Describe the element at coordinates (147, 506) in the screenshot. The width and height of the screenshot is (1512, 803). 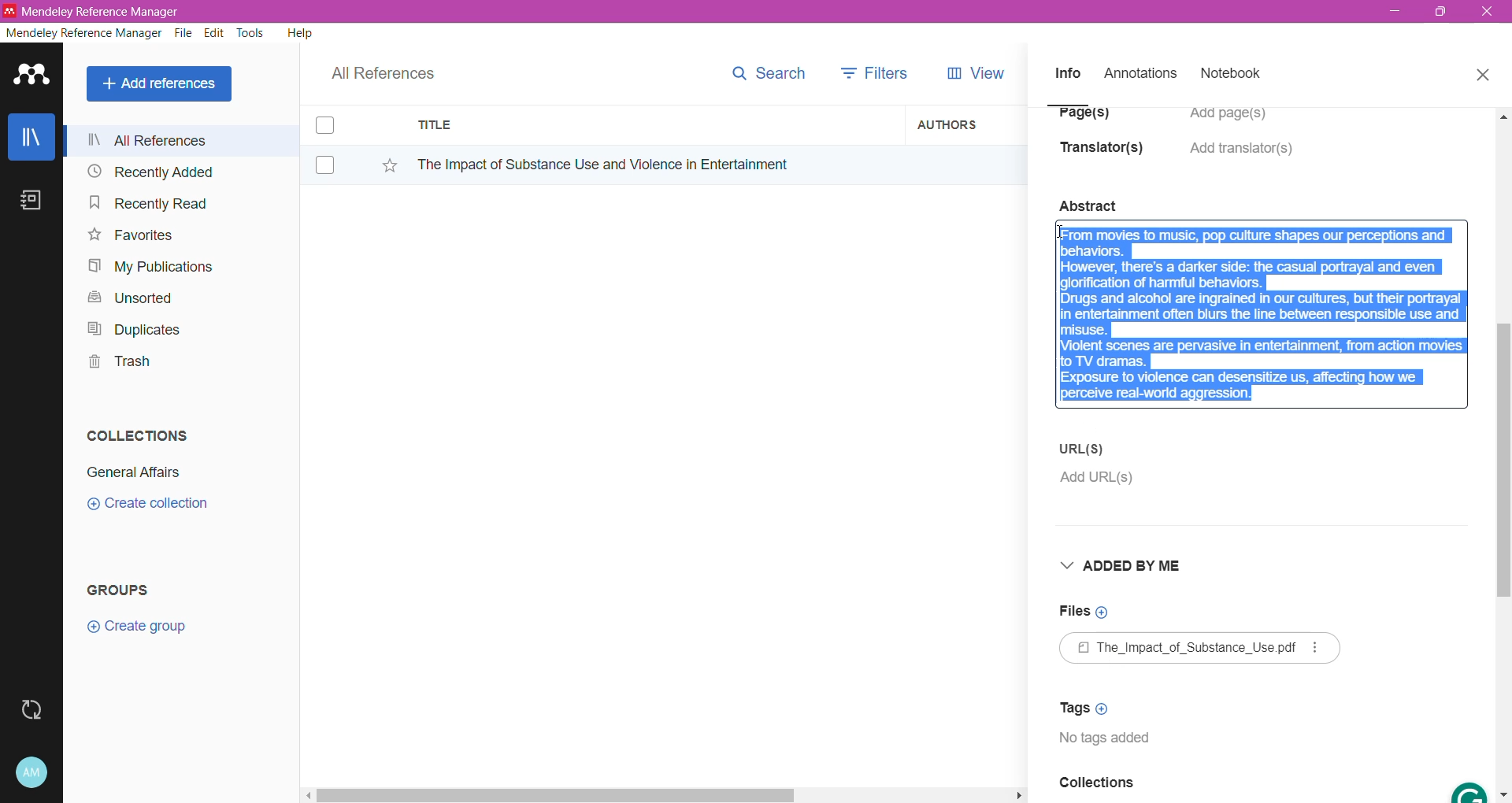
I see `Click to Create Collection` at that location.